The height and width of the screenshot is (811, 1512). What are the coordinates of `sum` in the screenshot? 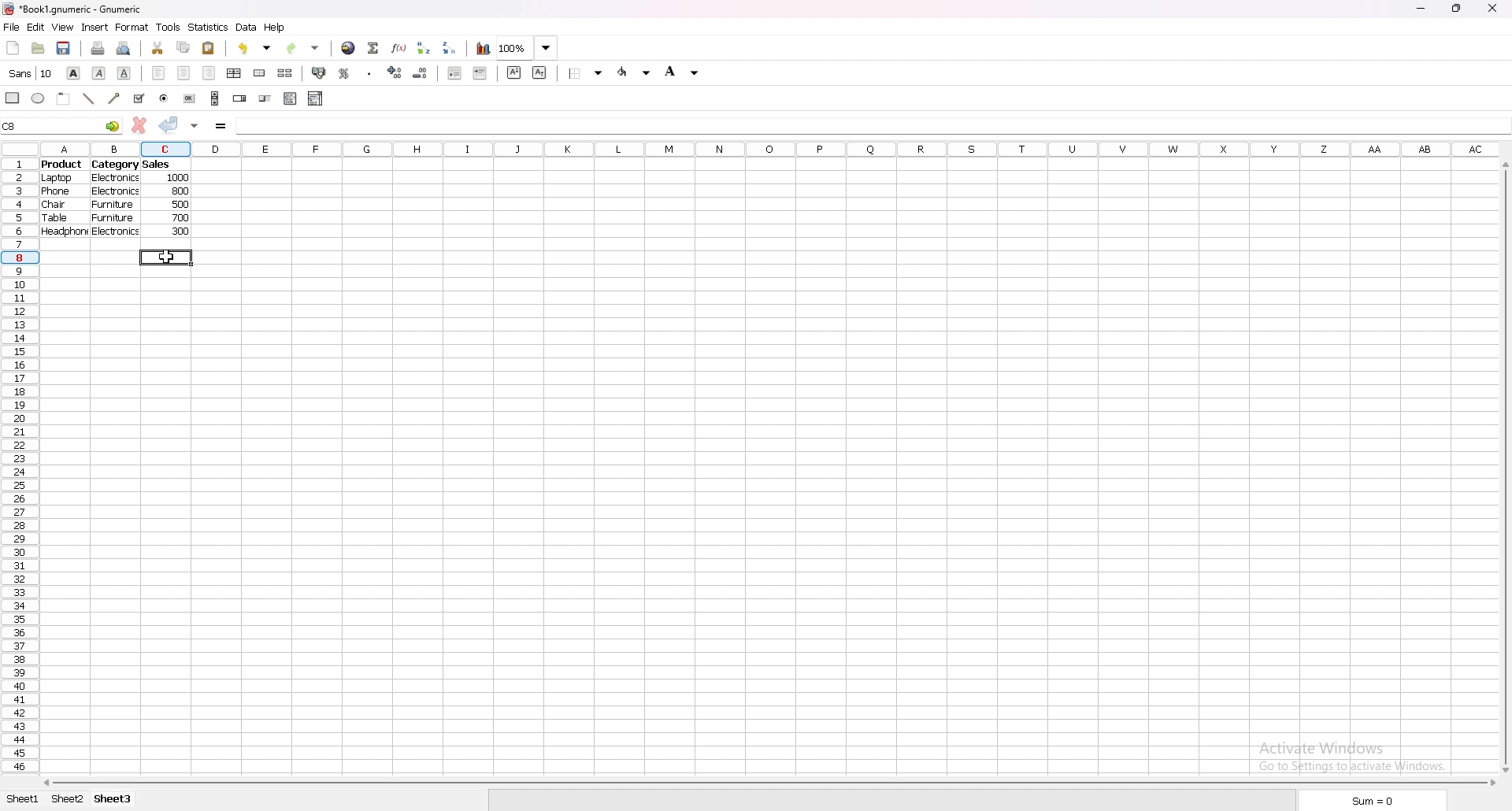 It's located at (1370, 800).